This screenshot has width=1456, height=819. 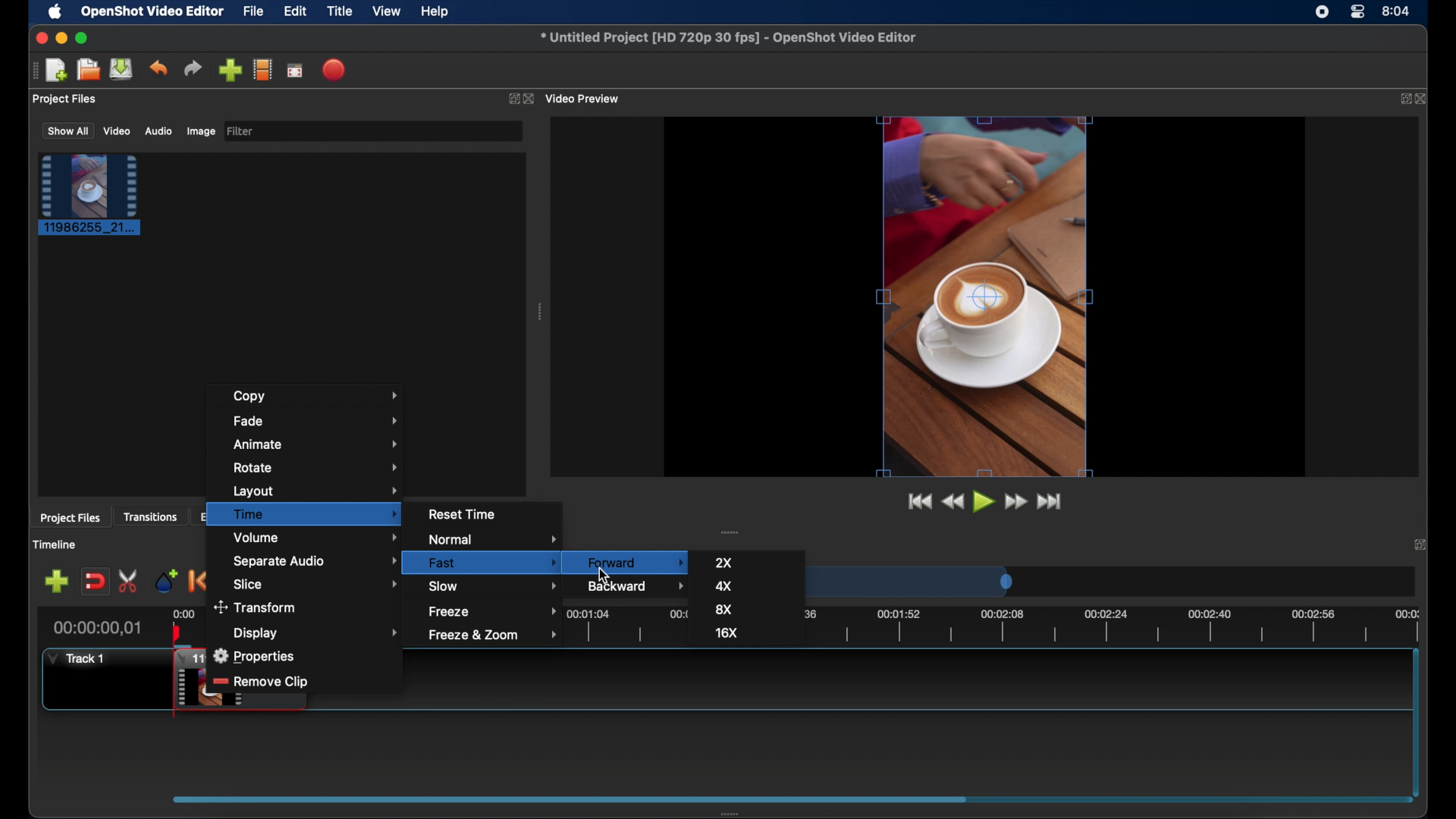 I want to click on enable razor, so click(x=130, y=581).